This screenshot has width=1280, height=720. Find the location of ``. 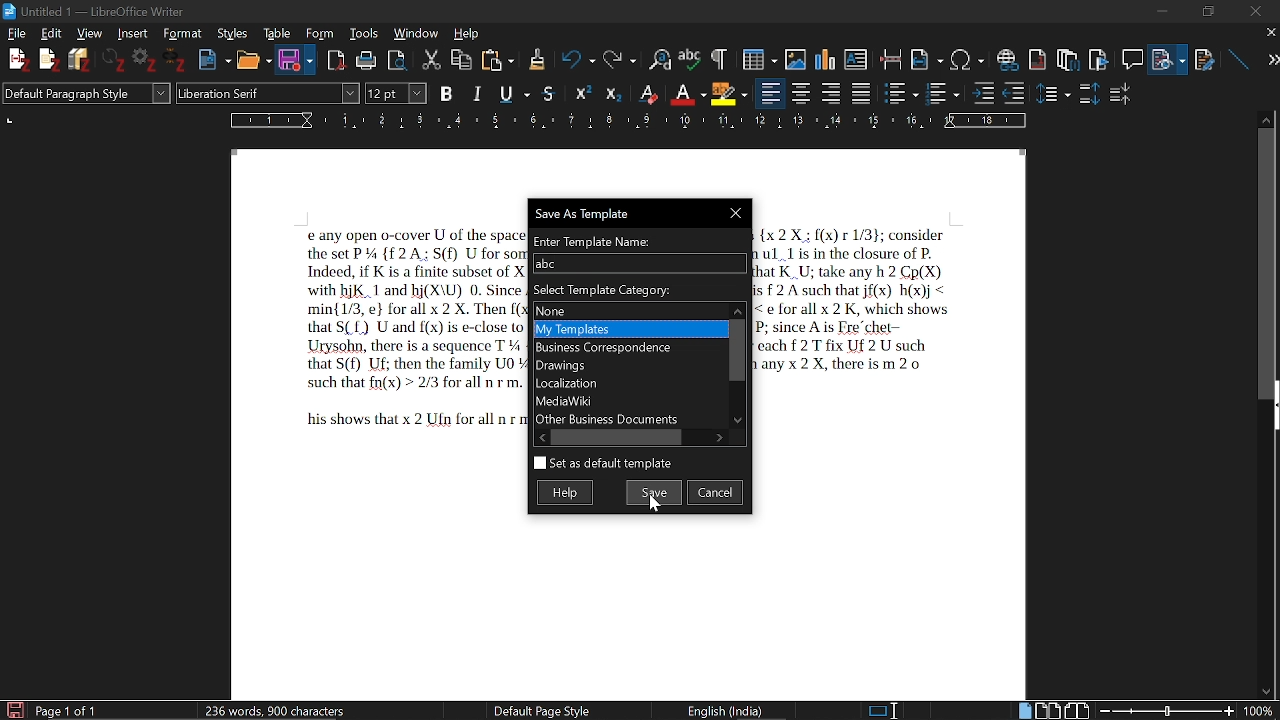

 is located at coordinates (983, 92).